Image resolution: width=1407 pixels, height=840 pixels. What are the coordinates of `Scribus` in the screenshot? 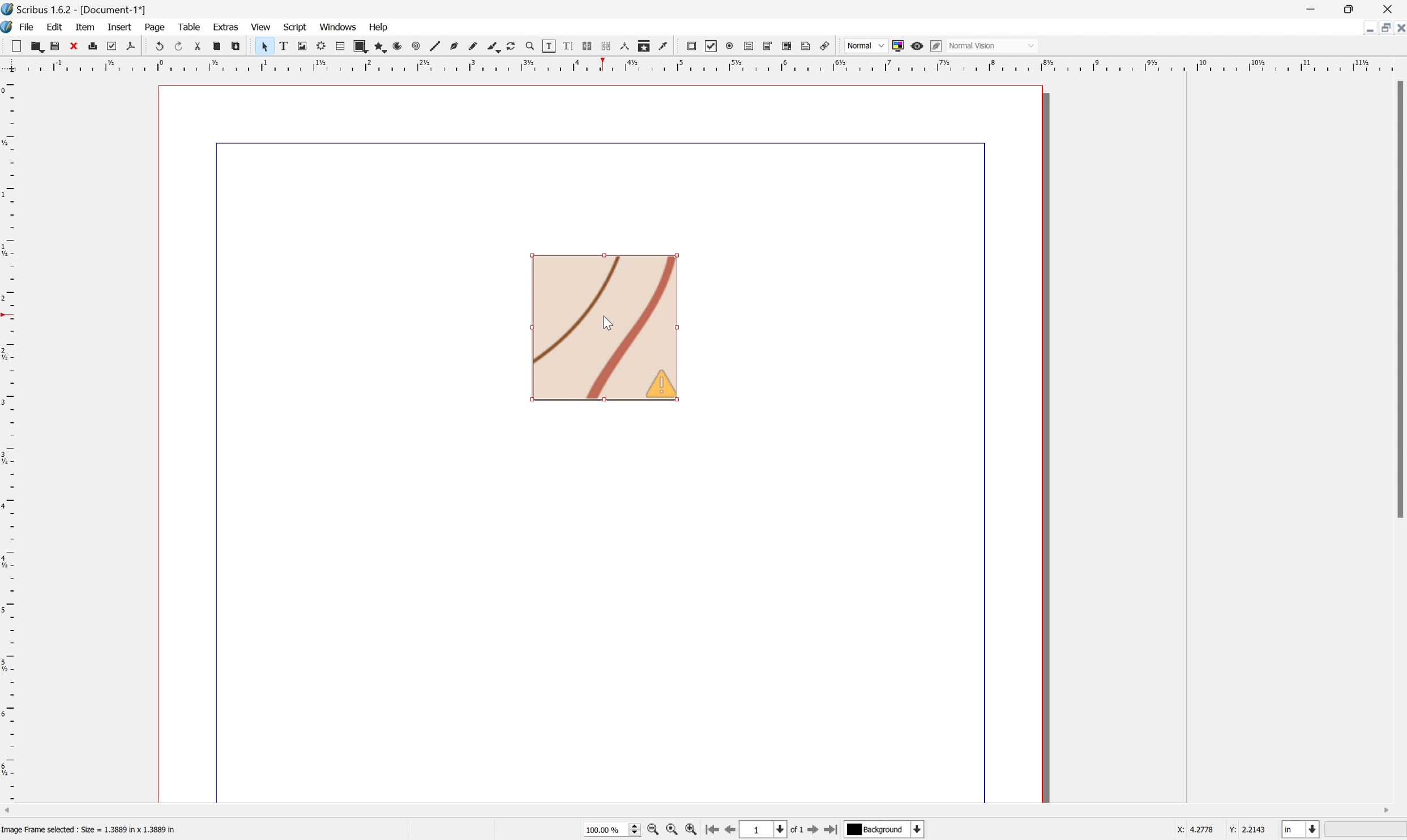 It's located at (9, 27).